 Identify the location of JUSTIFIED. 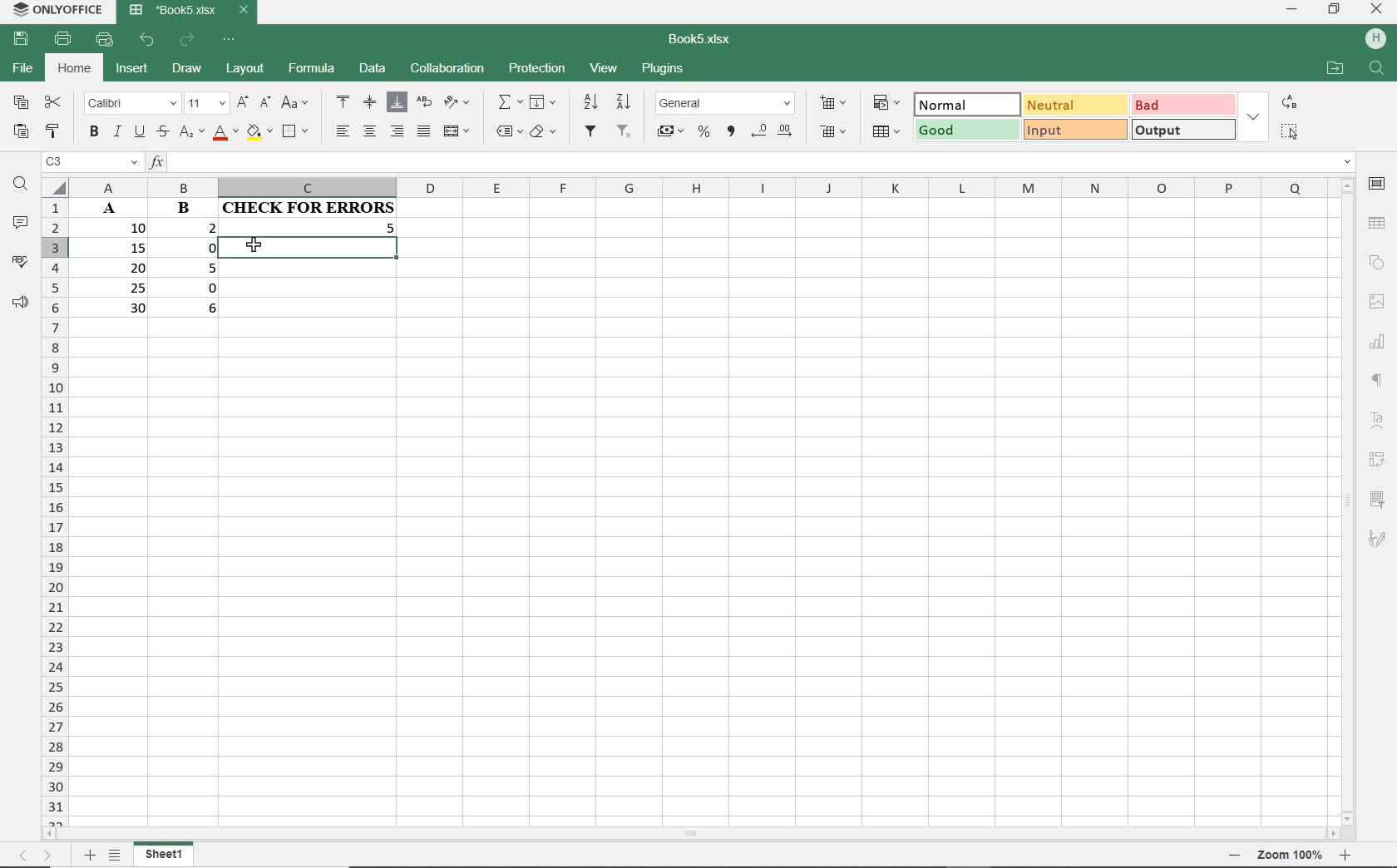
(425, 131).